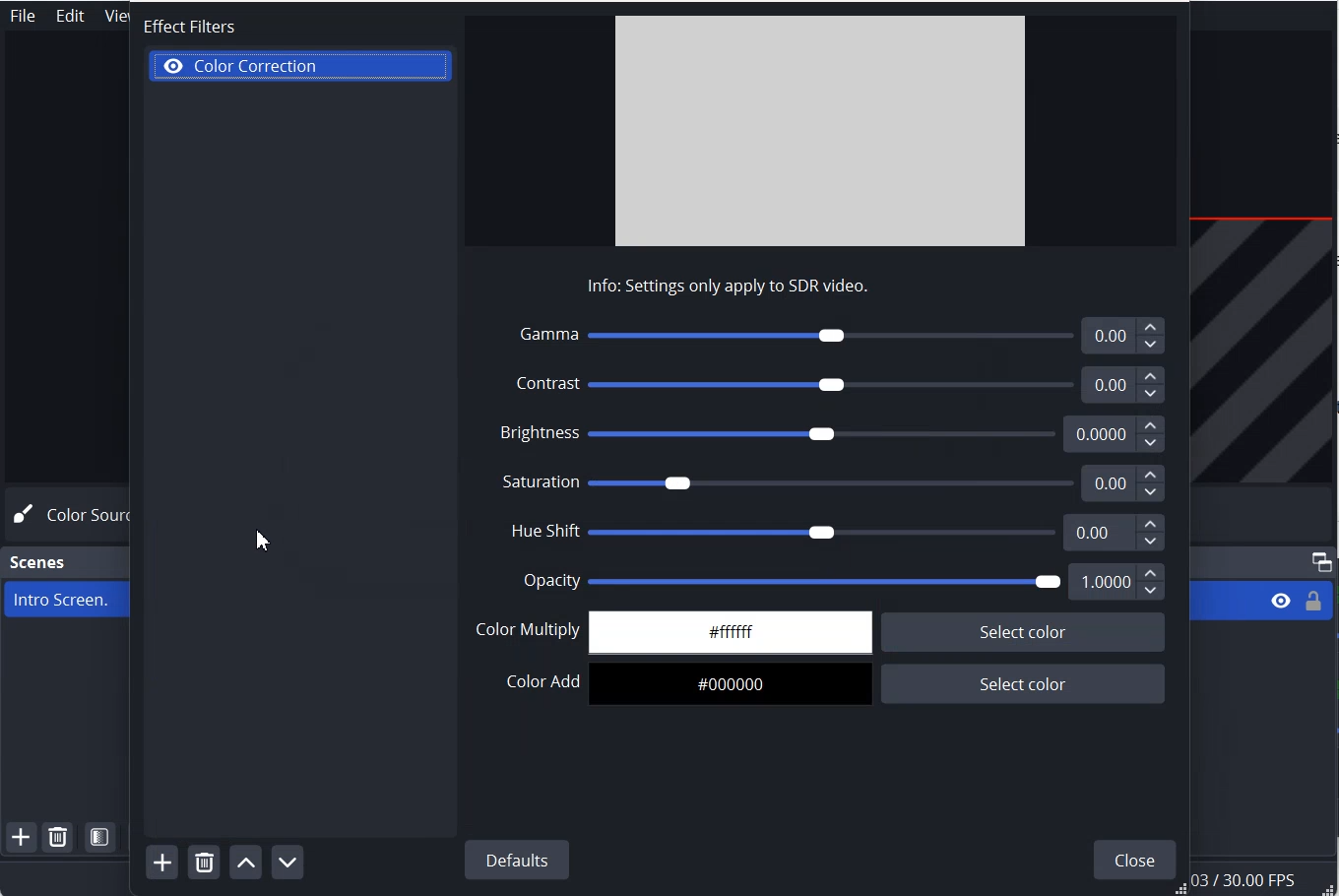 The height and width of the screenshot is (896, 1339). I want to click on Color Correction, so click(302, 66).